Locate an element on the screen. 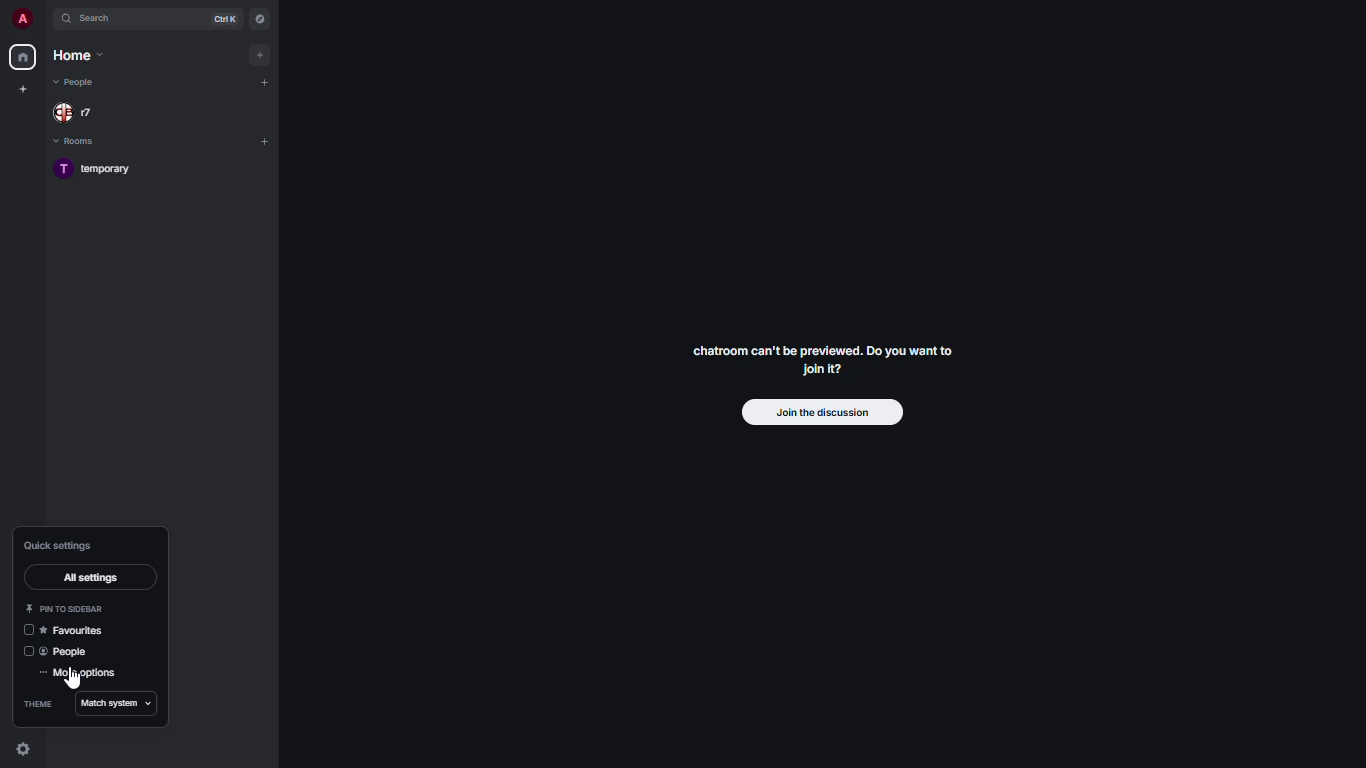  create new space is located at coordinates (23, 88).